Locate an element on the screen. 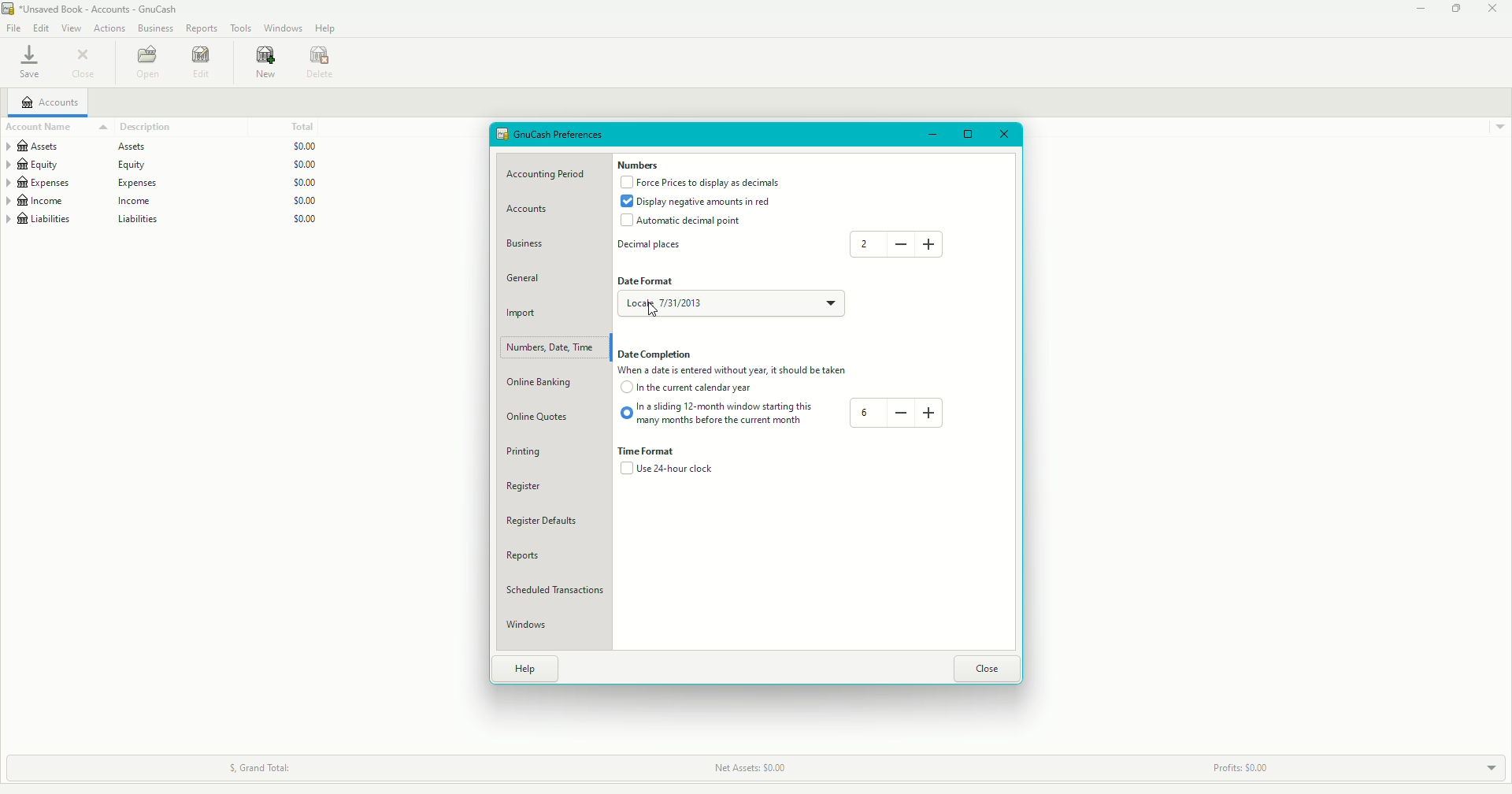 Image resolution: width=1512 pixels, height=794 pixels. Profits is located at coordinates (1253, 763).